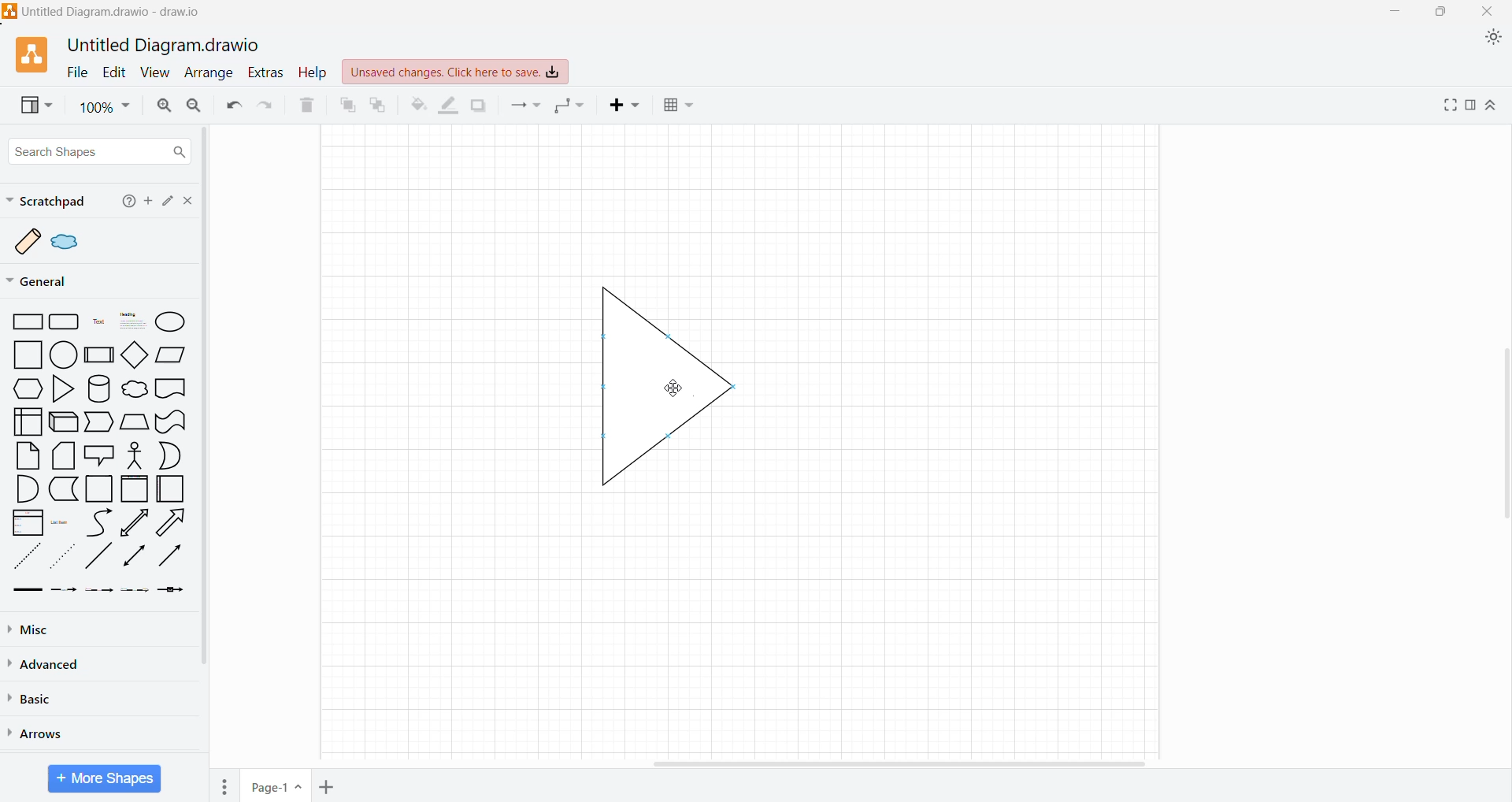  Describe the element at coordinates (480, 106) in the screenshot. I see `Shadow` at that location.